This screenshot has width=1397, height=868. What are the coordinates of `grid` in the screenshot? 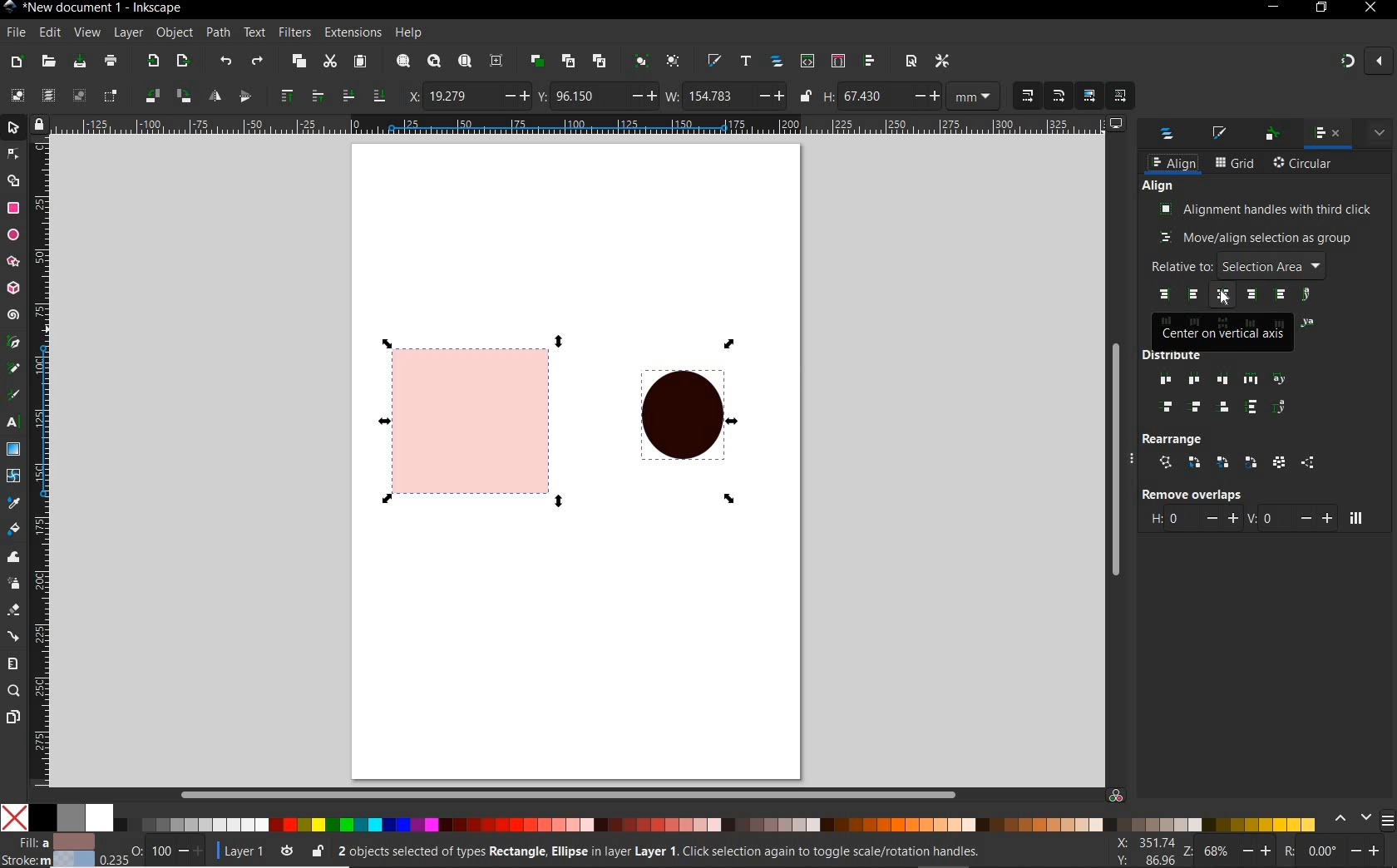 It's located at (1235, 164).